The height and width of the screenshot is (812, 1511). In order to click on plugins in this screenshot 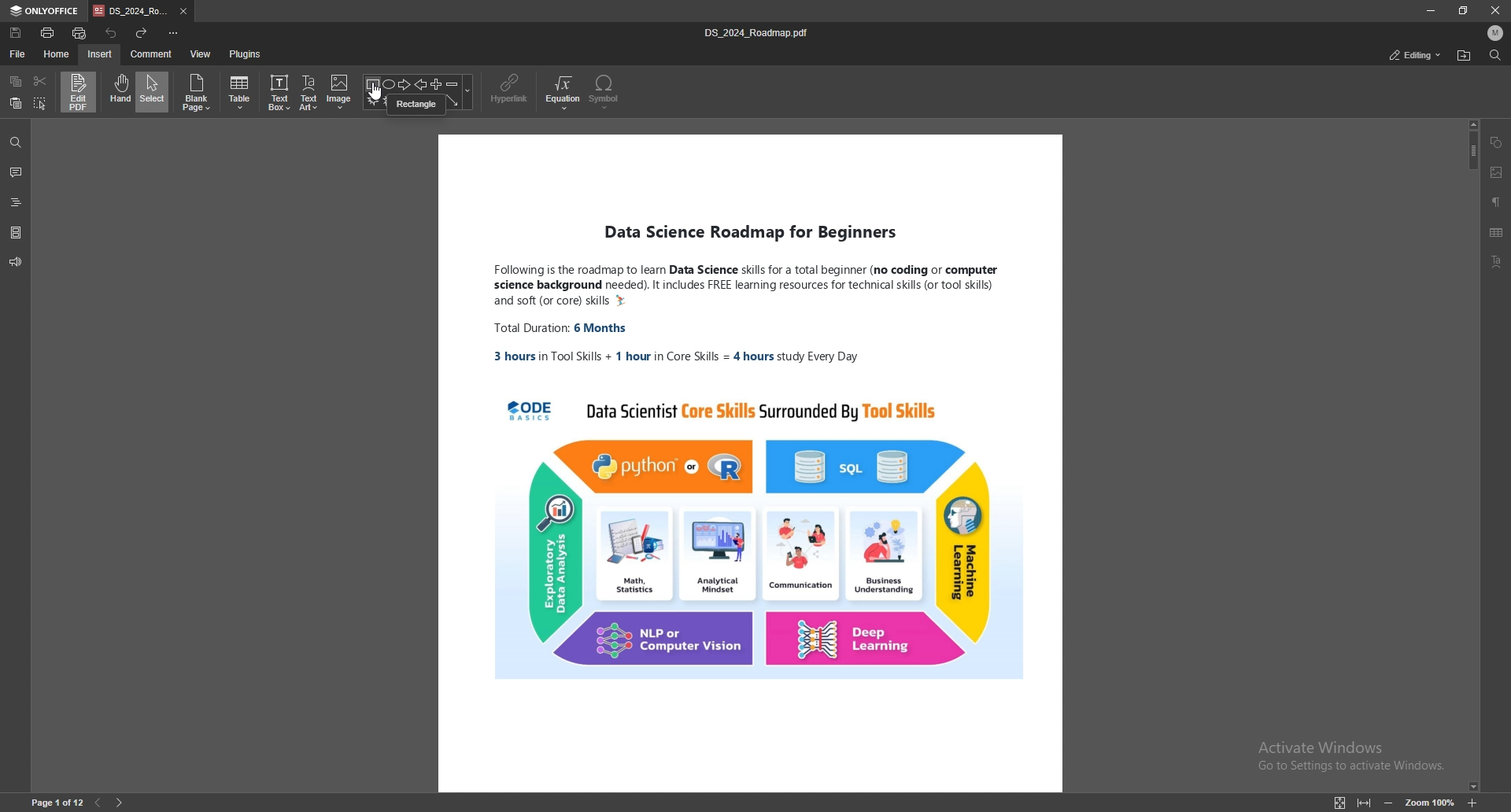, I will do `click(245, 54)`.